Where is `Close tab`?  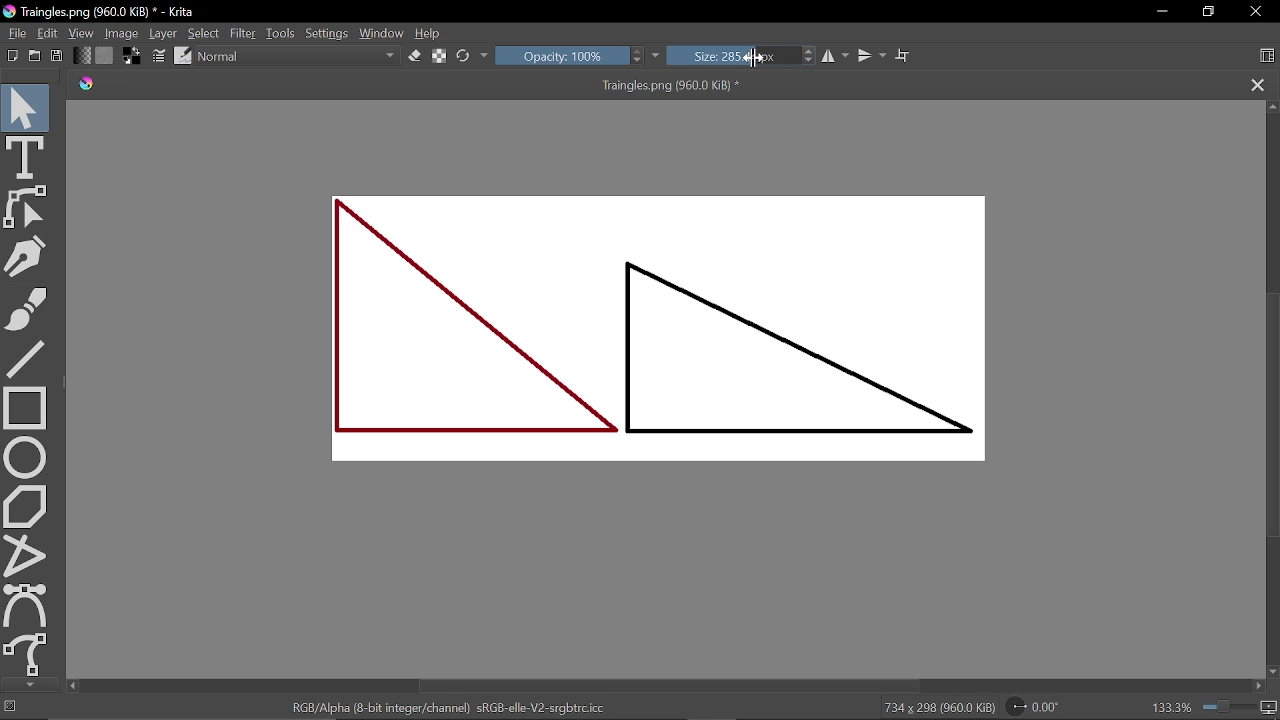 Close tab is located at coordinates (1256, 85).